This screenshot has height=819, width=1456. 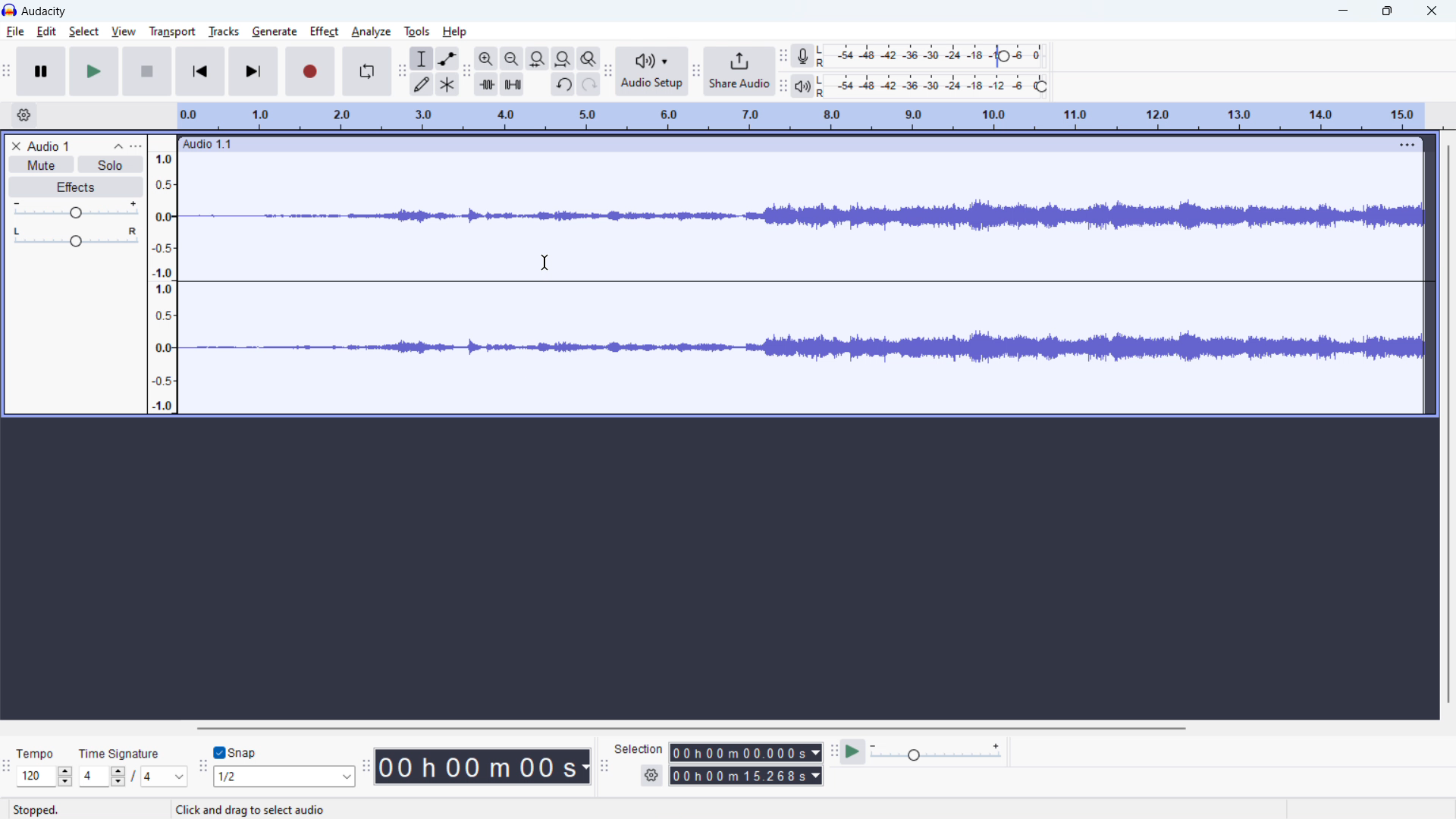 I want to click on silence selection, so click(x=512, y=84).